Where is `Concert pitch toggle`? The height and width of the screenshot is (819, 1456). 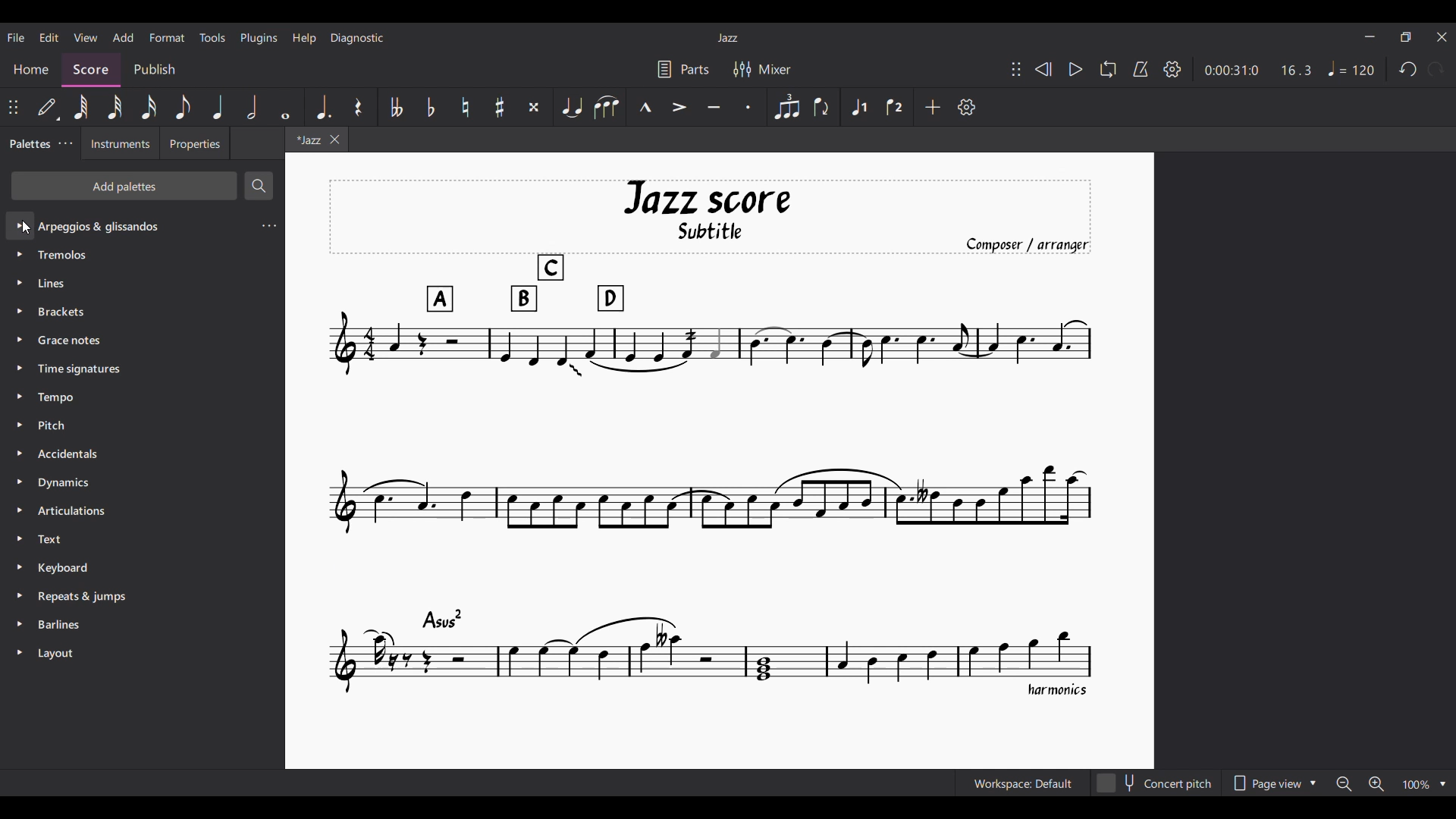 Concert pitch toggle is located at coordinates (1156, 783).